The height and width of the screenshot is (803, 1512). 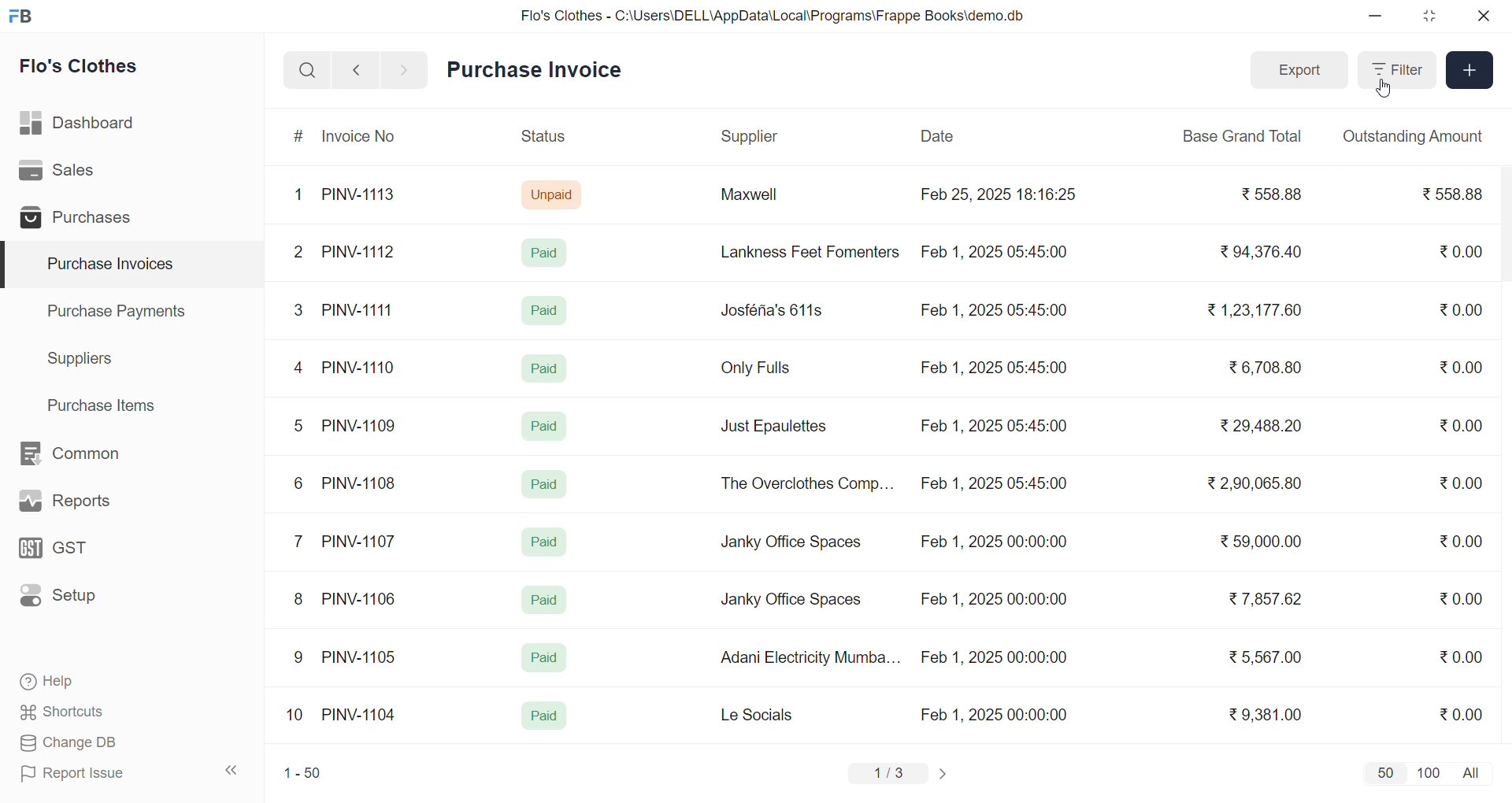 I want to click on Purchase Invoices, so click(x=108, y=265).